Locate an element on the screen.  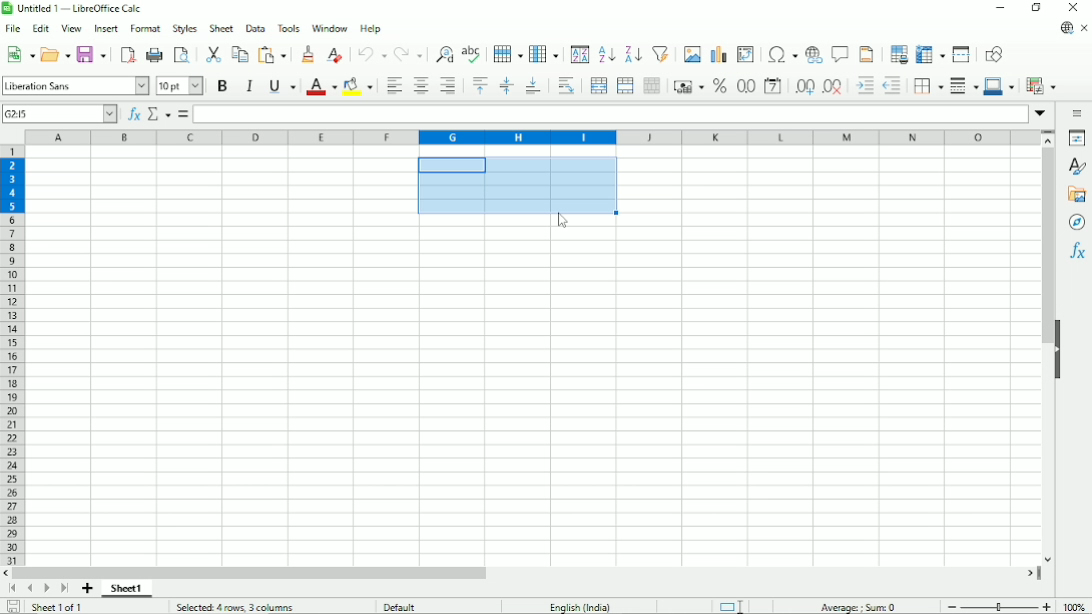
Help is located at coordinates (371, 29).